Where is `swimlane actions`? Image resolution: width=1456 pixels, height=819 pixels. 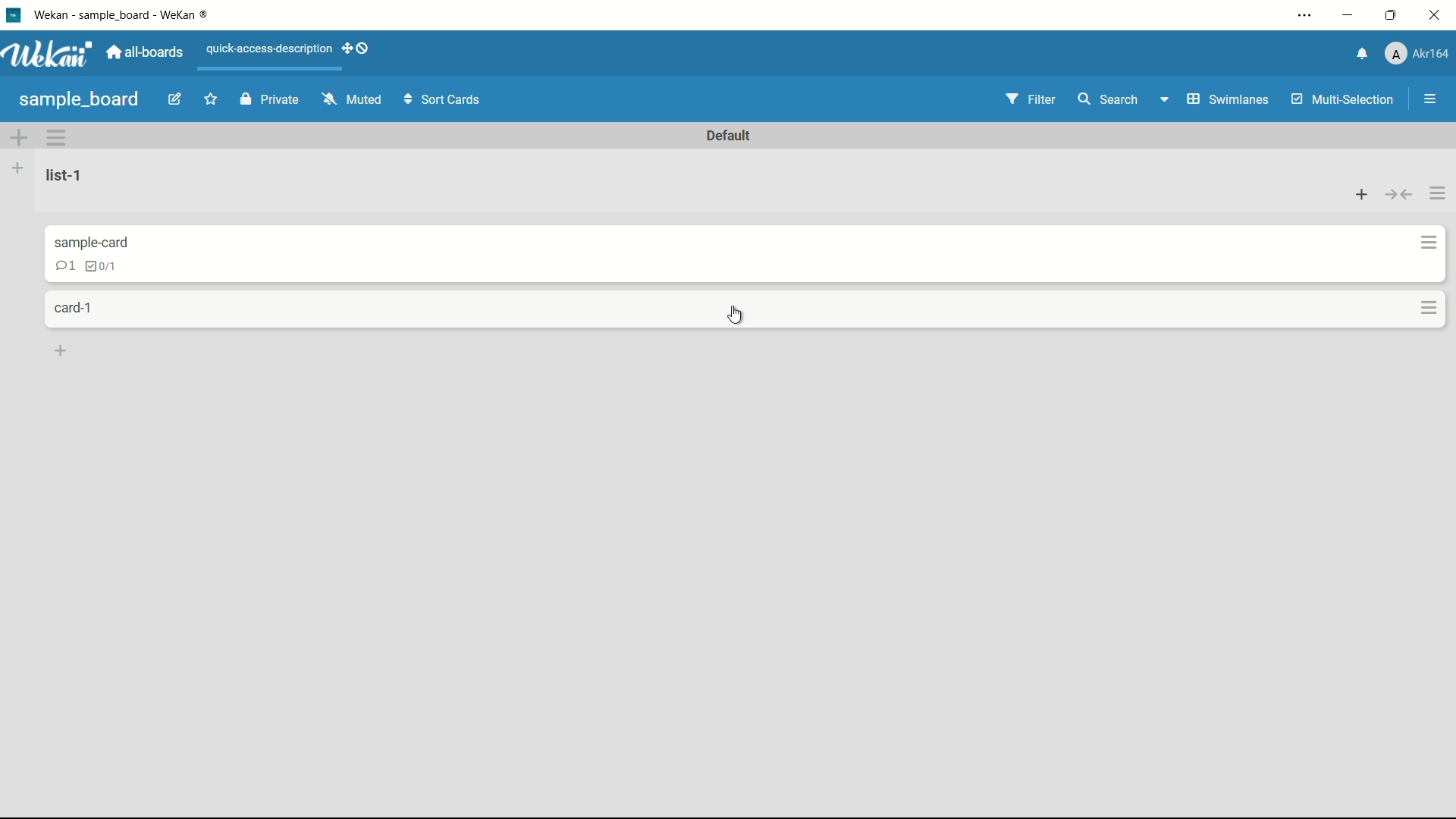 swimlane actions is located at coordinates (57, 138).